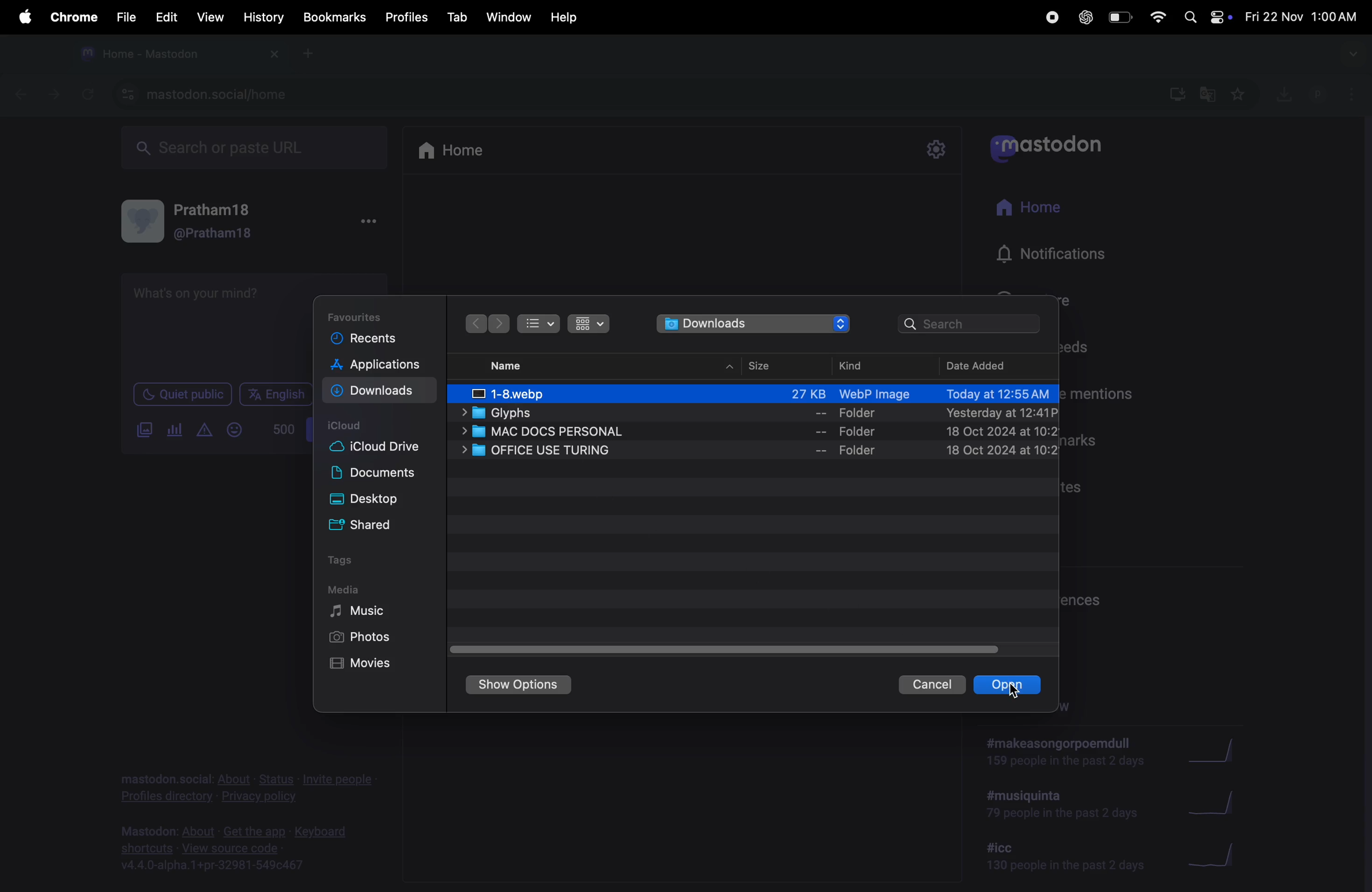 This screenshot has width=1372, height=892. What do you see at coordinates (1348, 91) in the screenshot?
I see `options` at bounding box center [1348, 91].